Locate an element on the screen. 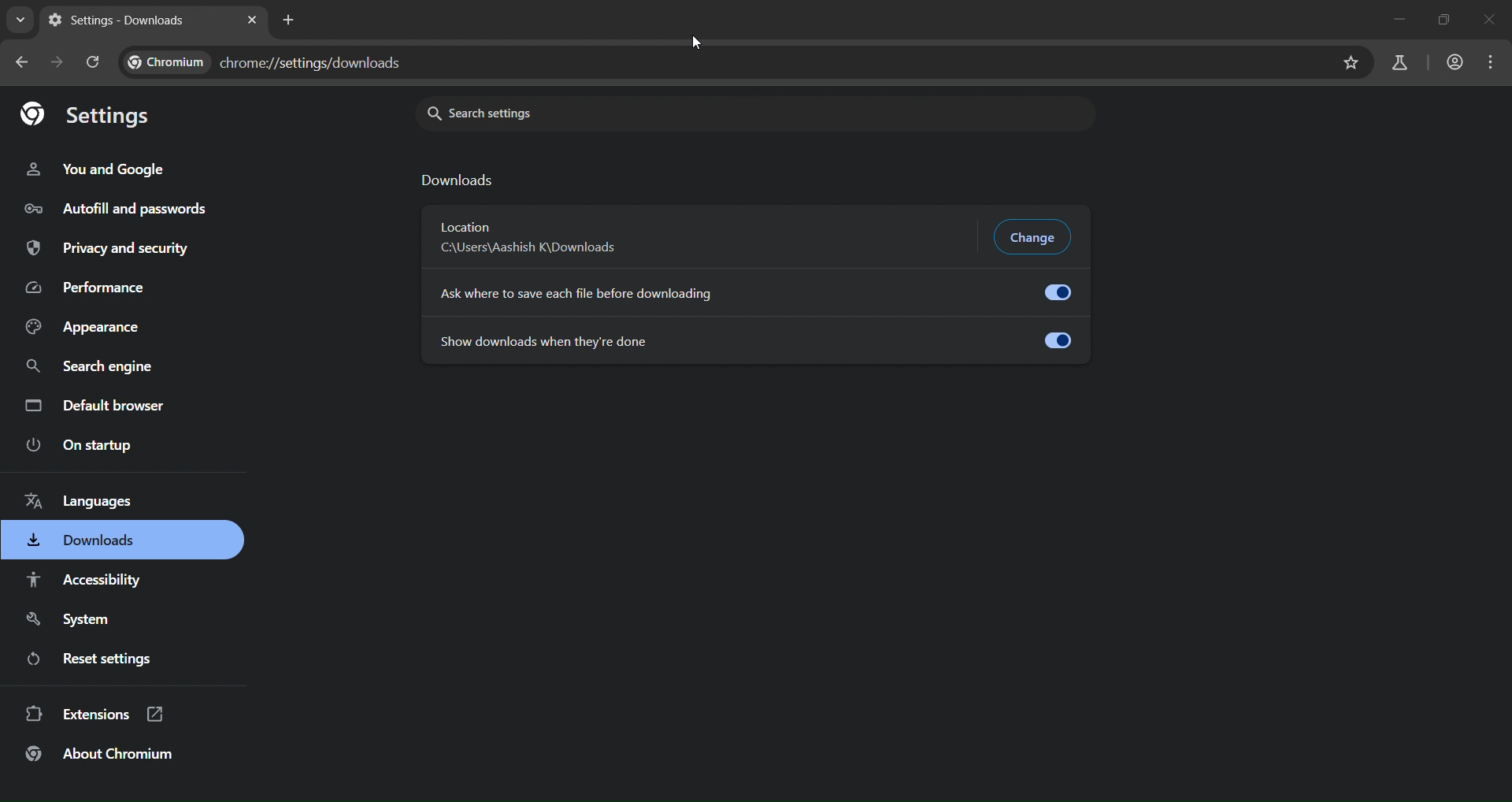 This screenshot has width=1512, height=802. reset settings is located at coordinates (94, 659).